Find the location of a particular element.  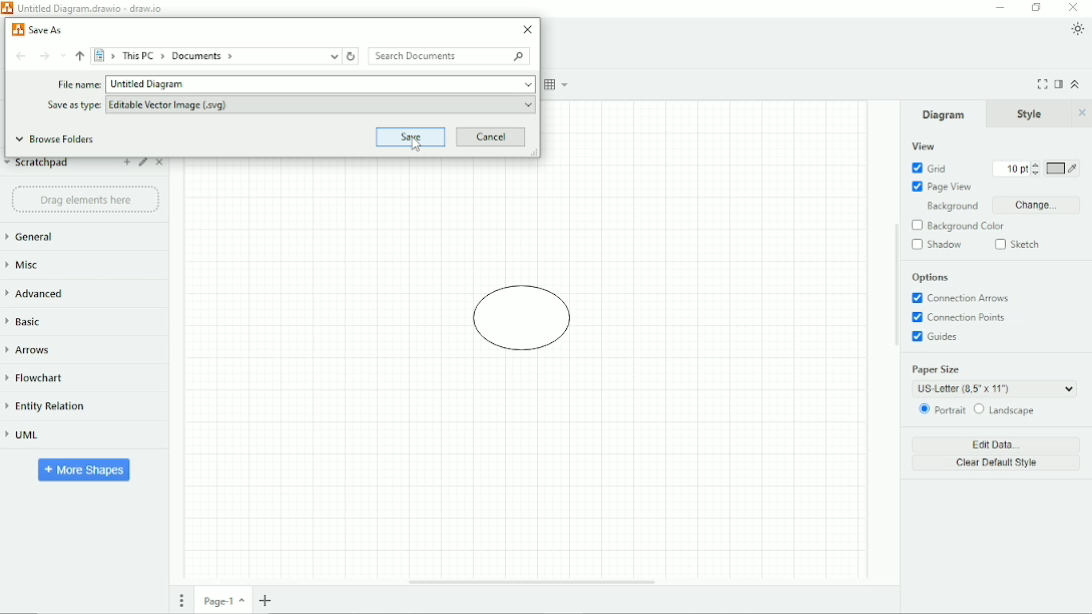

Pages is located at coordinates (182, 602).